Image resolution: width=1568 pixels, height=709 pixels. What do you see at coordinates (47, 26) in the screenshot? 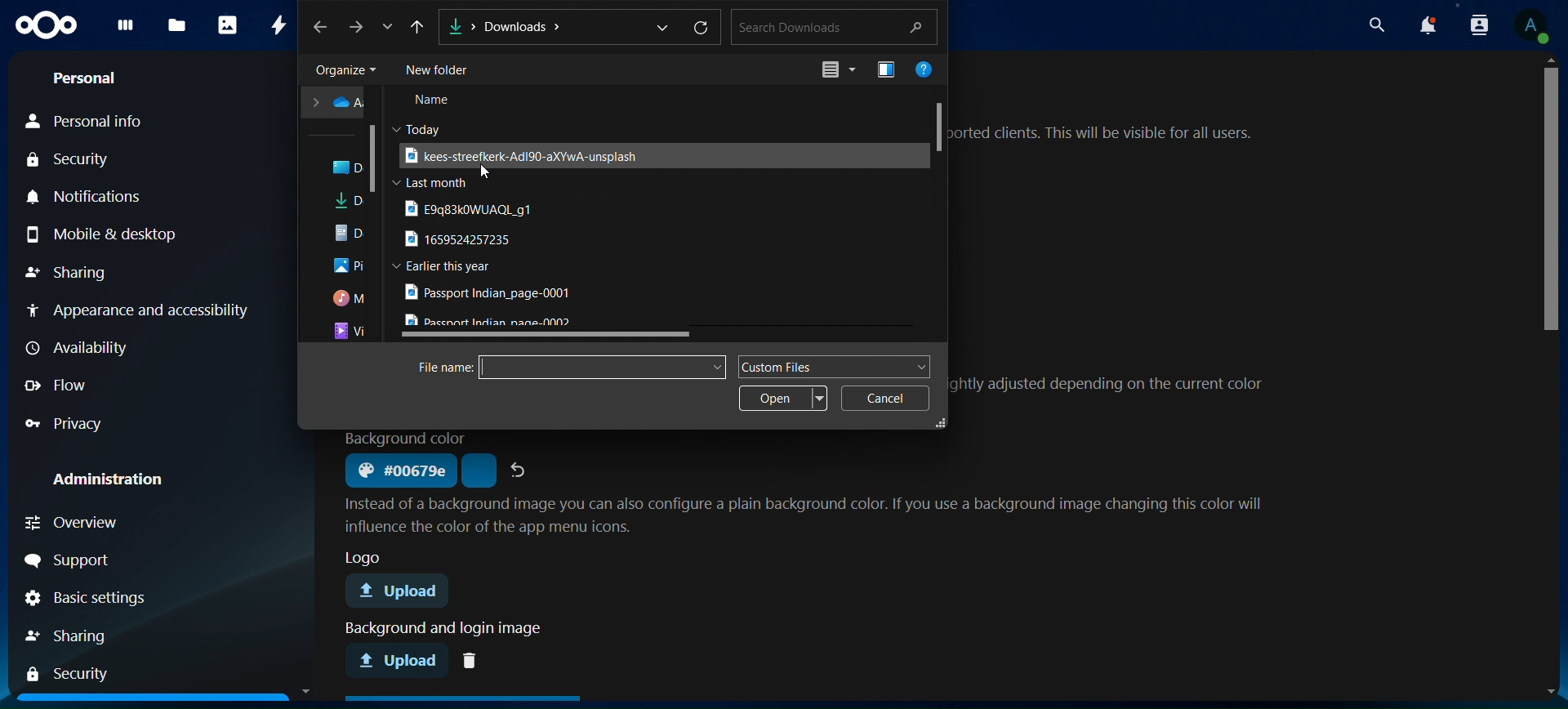
I see `logo` at bounding box center [47, 26].